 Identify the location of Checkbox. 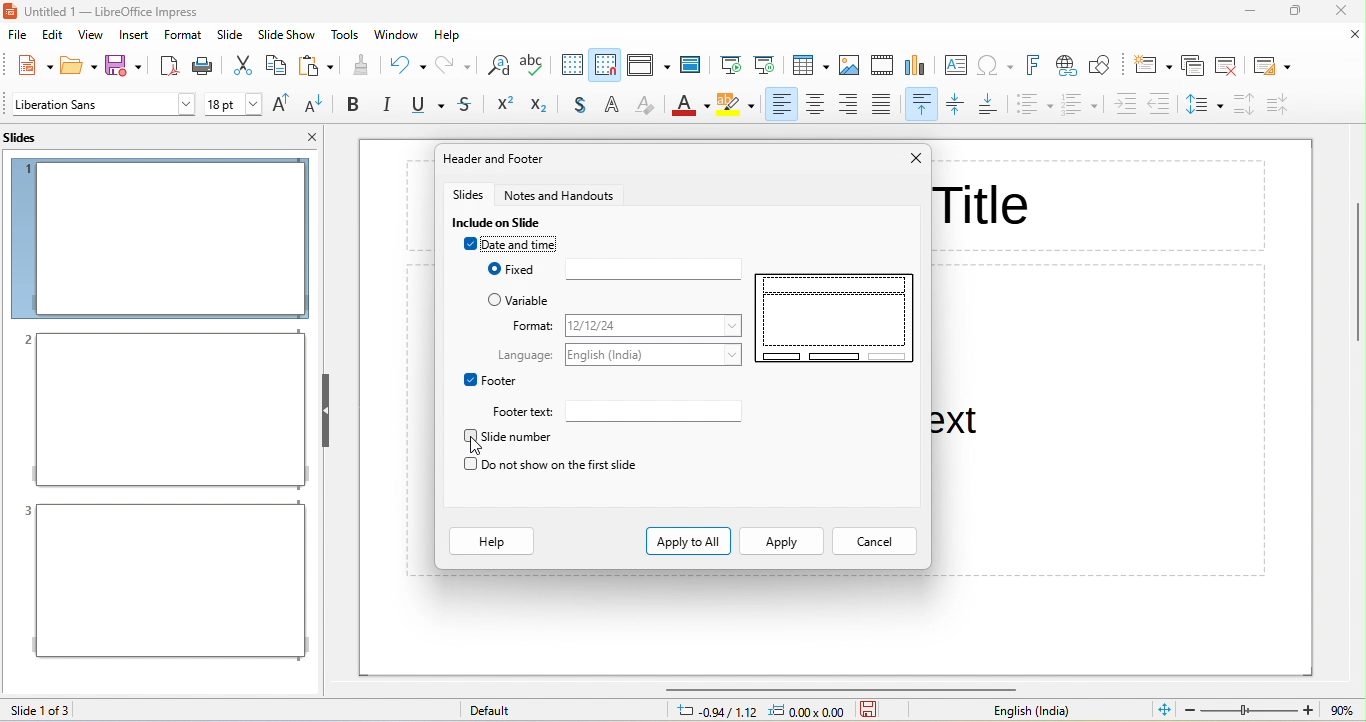
(469, 244).